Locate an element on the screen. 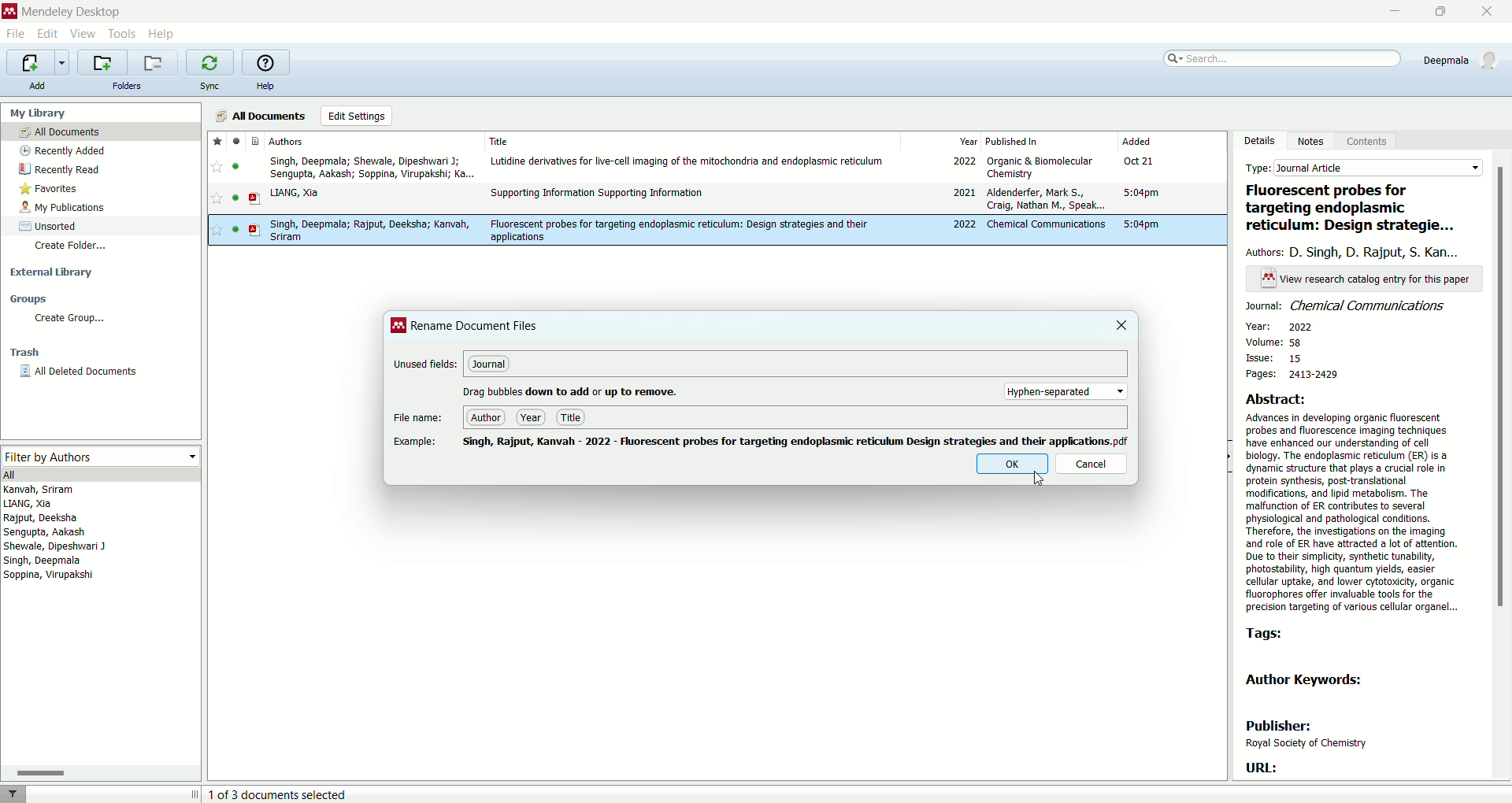 This screenshot has width=1512, height=803. create a new folder is located at coordinates (104, 62).